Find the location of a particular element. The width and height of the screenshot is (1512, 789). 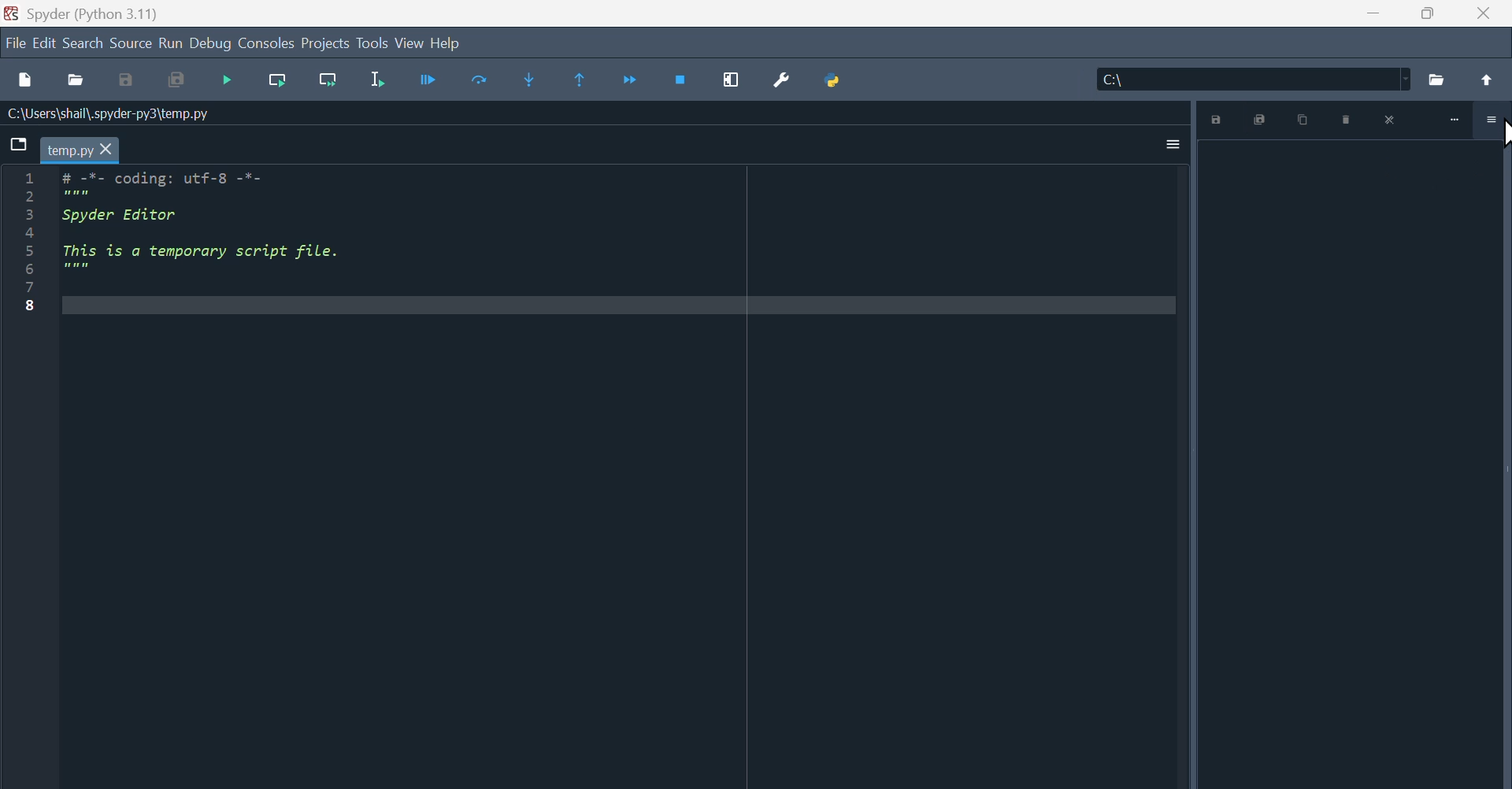

Spyder (Python 3.11) is located at coordinates (94, 14).